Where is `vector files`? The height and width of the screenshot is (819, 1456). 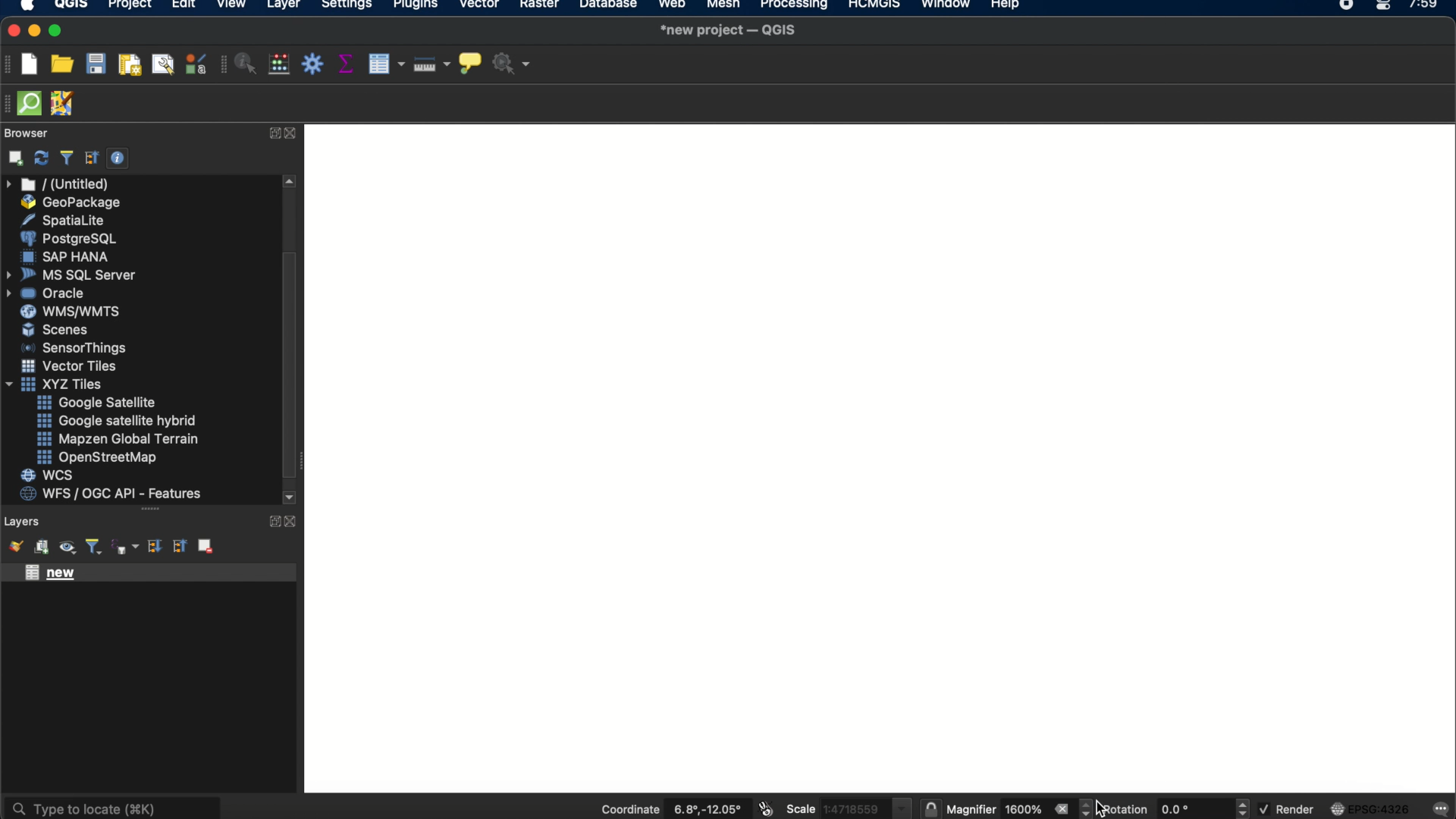 vector files is located at coordinates (71, 366).